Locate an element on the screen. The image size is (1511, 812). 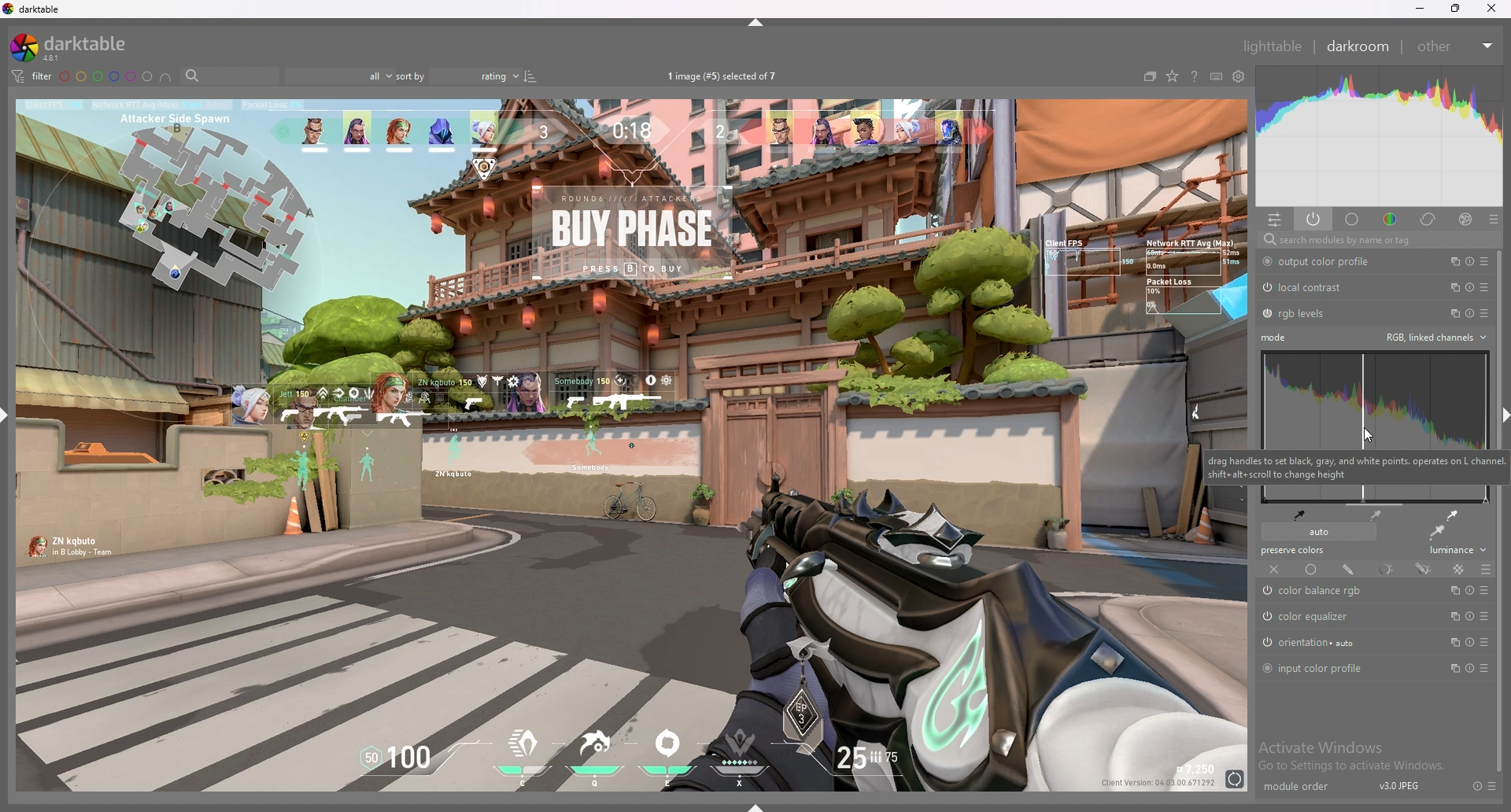
reverse sort order is located at coordinates (530, 76).